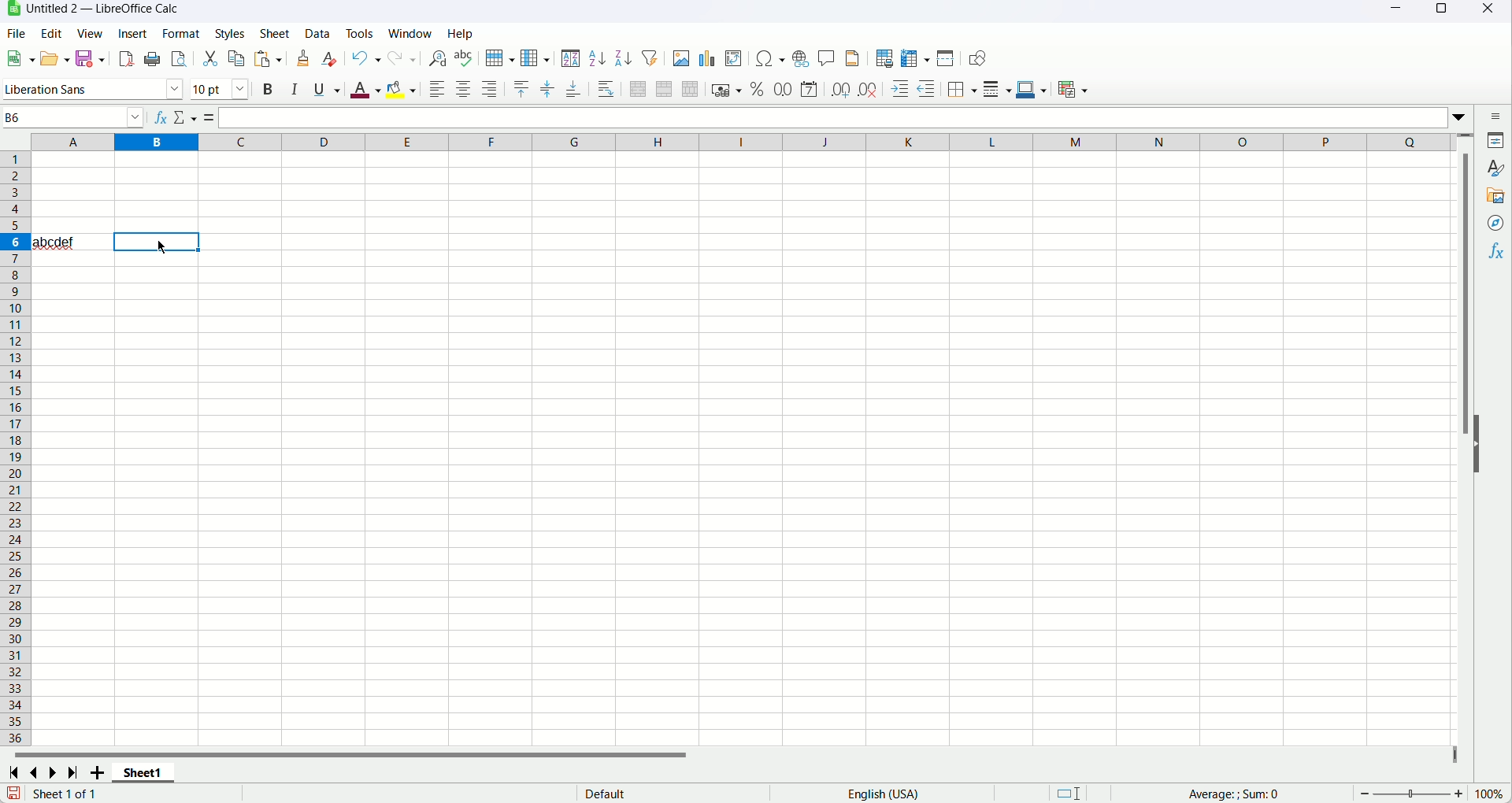 This screenshot has height=803, width=1512. What do you see at coordinates (104, 8) in the screenshot?
I see `UNTITLED2-LIBREOFFICE CALC` at bounding box center [104, 8].